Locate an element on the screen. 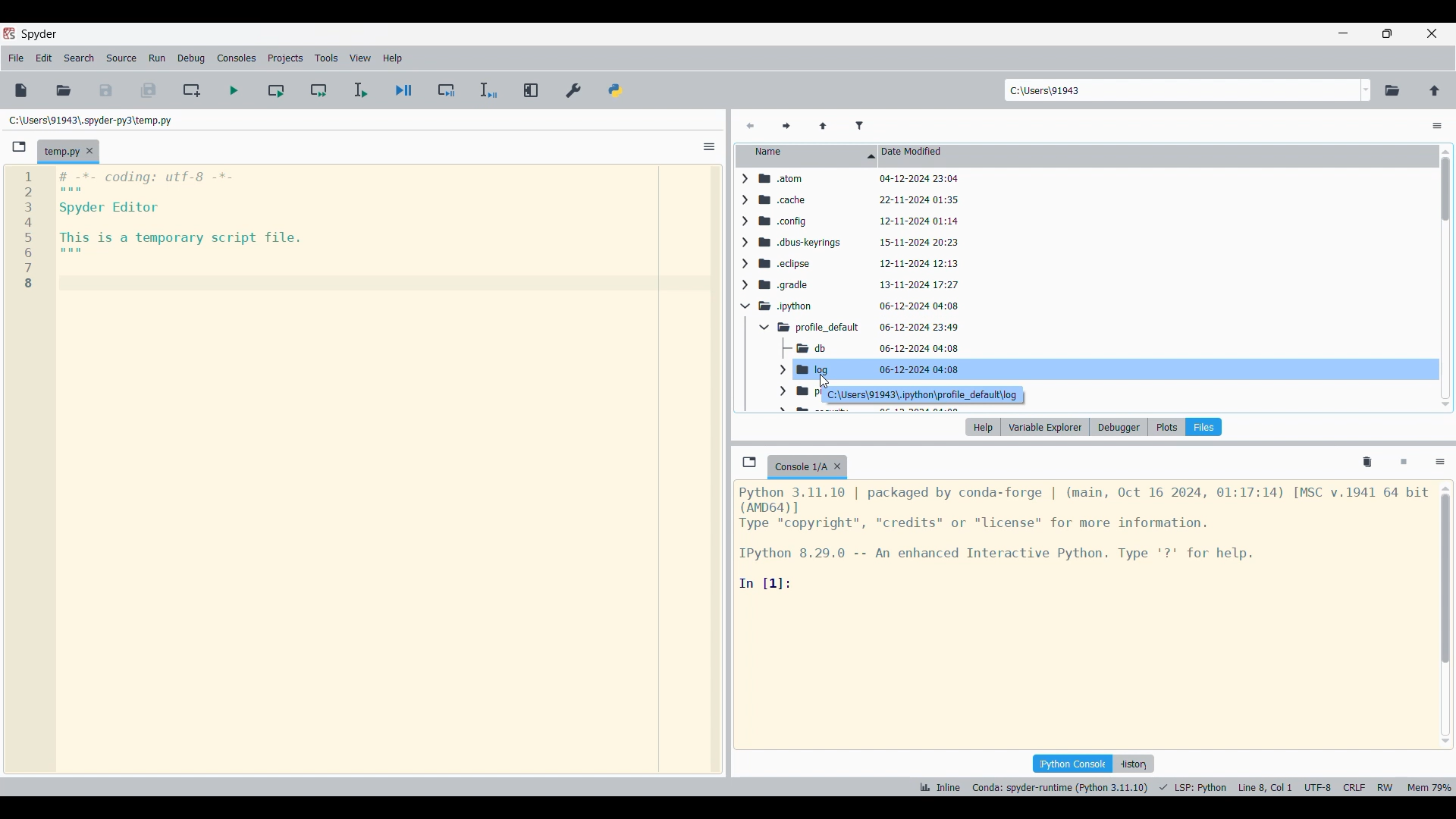 The width and height of the screenshot is (1456, 819). Maximize current pane is located at coordinates (532, 90).